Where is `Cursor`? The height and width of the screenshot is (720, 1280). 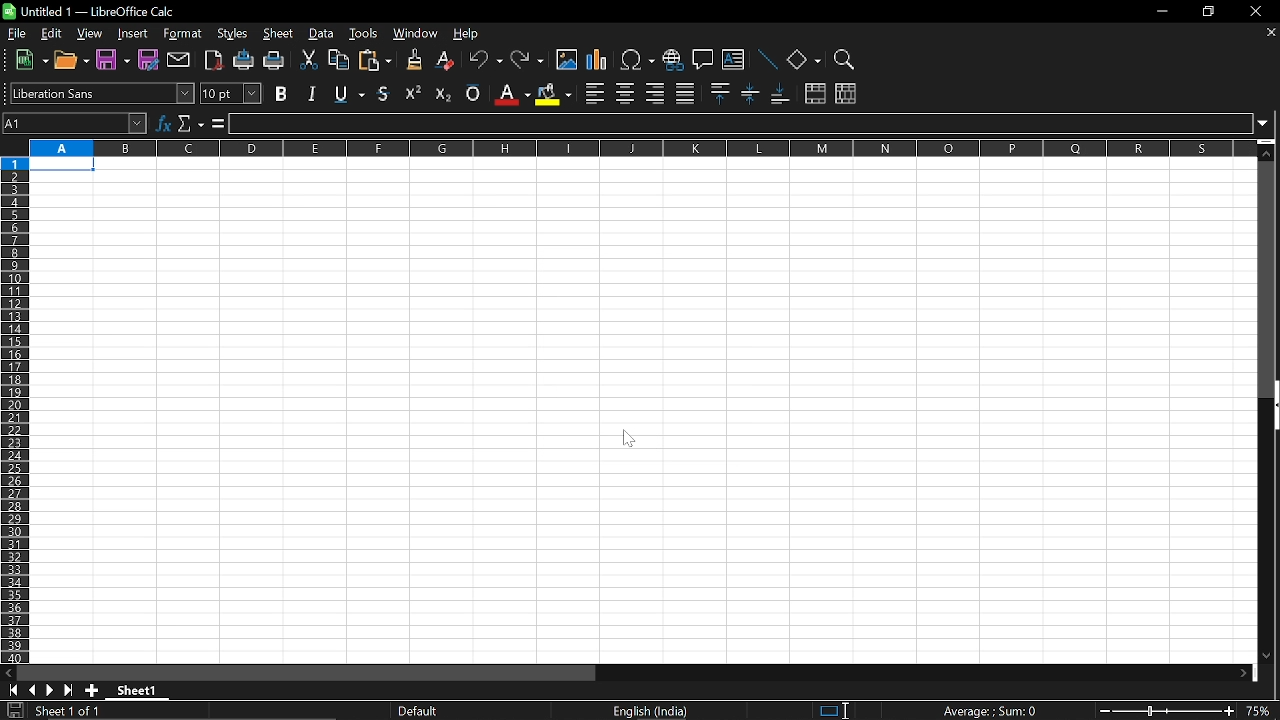
Cursor is located at coordinates (629, 441).